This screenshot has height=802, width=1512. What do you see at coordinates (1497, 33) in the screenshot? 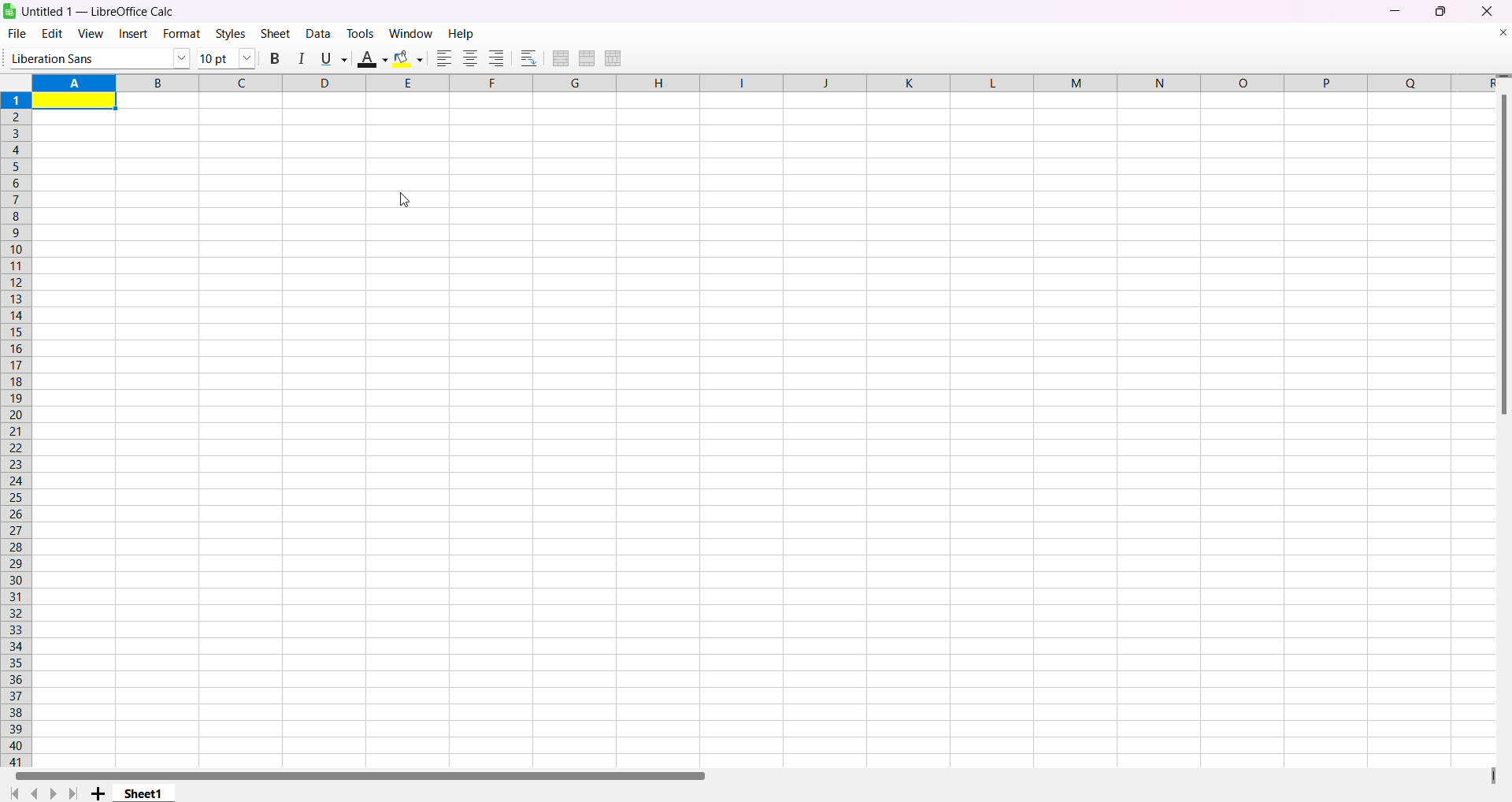
I see `close document` at bounding box center [1497, 33].